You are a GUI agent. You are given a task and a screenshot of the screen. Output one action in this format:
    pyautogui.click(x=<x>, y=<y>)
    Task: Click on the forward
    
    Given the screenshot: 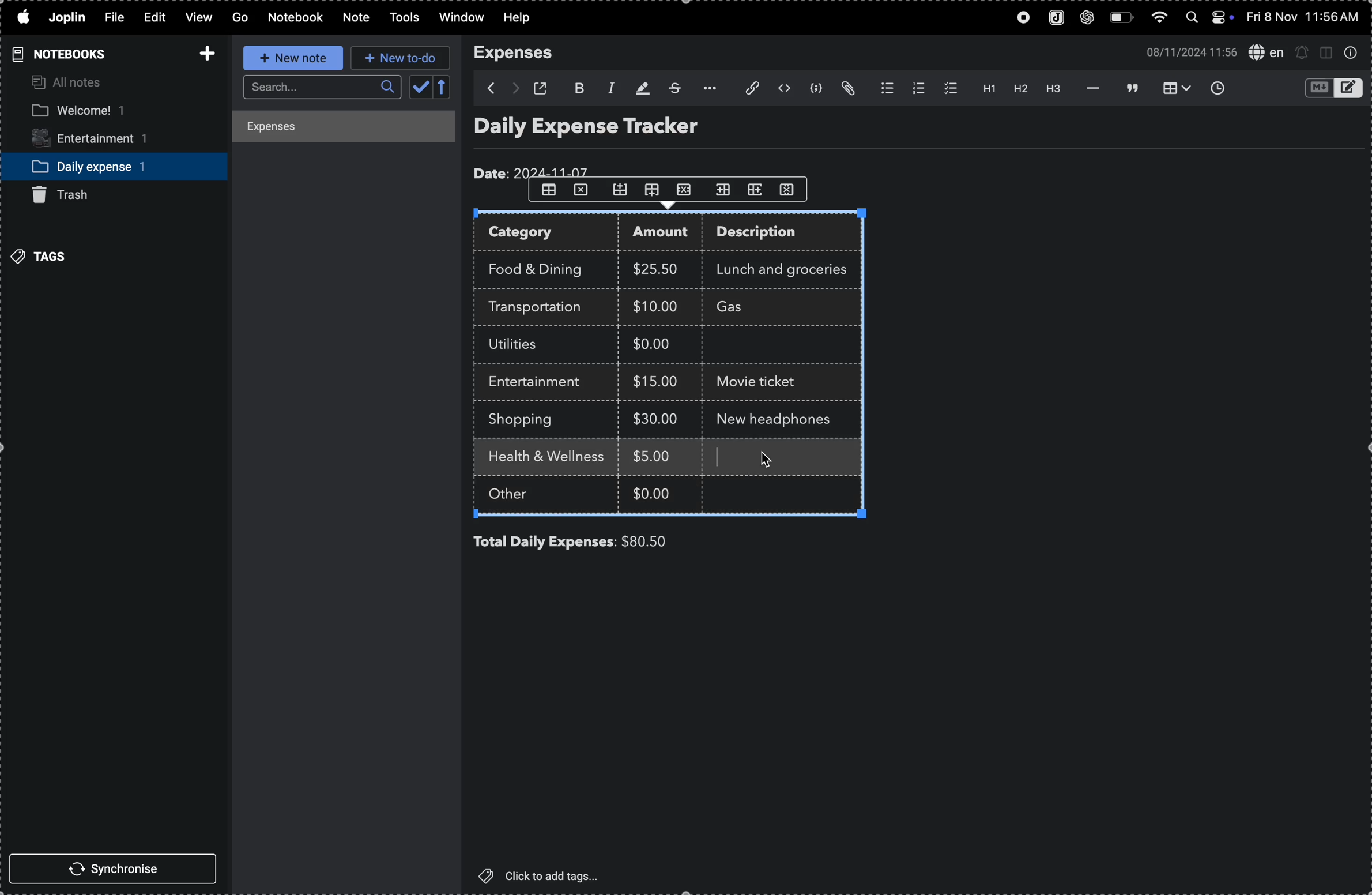 What is the action you would take?
    pyautogui.click(x=514, y=89)
    